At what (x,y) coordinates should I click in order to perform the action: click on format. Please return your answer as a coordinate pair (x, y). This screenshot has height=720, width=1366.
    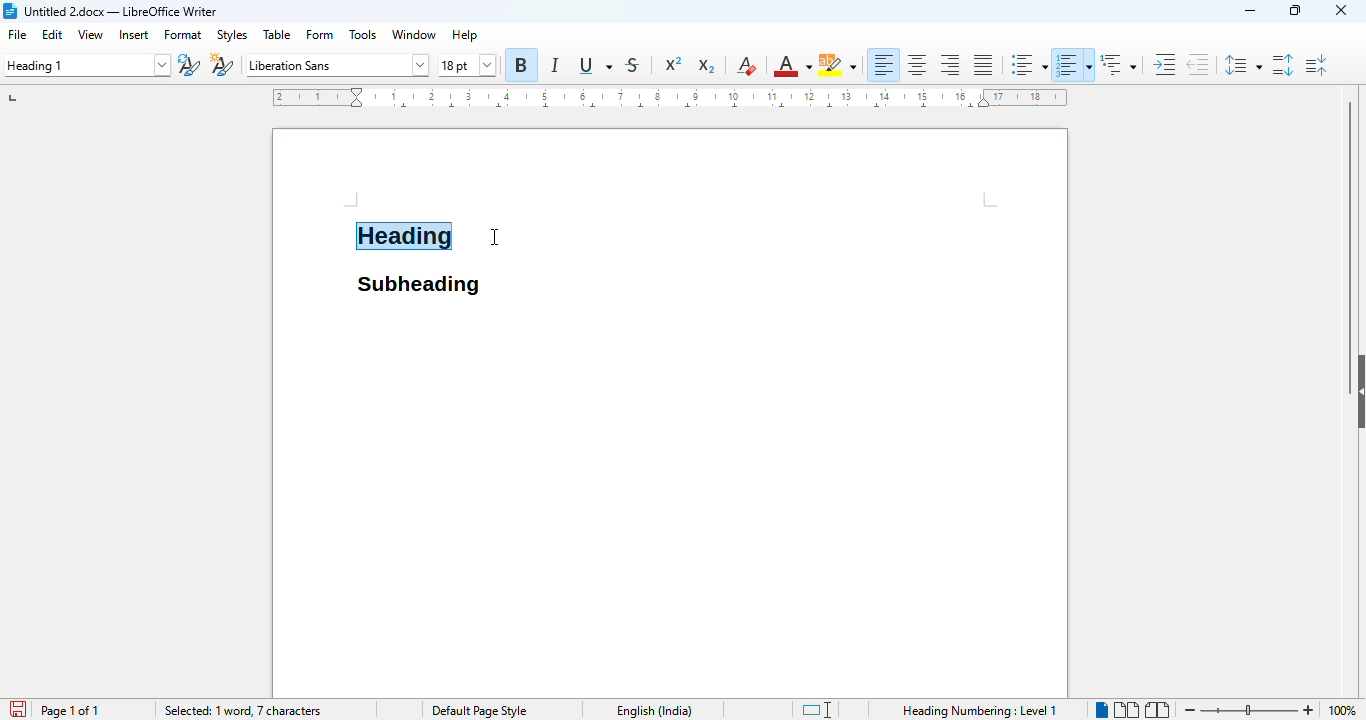
    Looking at the image, I should click on (183, 35).